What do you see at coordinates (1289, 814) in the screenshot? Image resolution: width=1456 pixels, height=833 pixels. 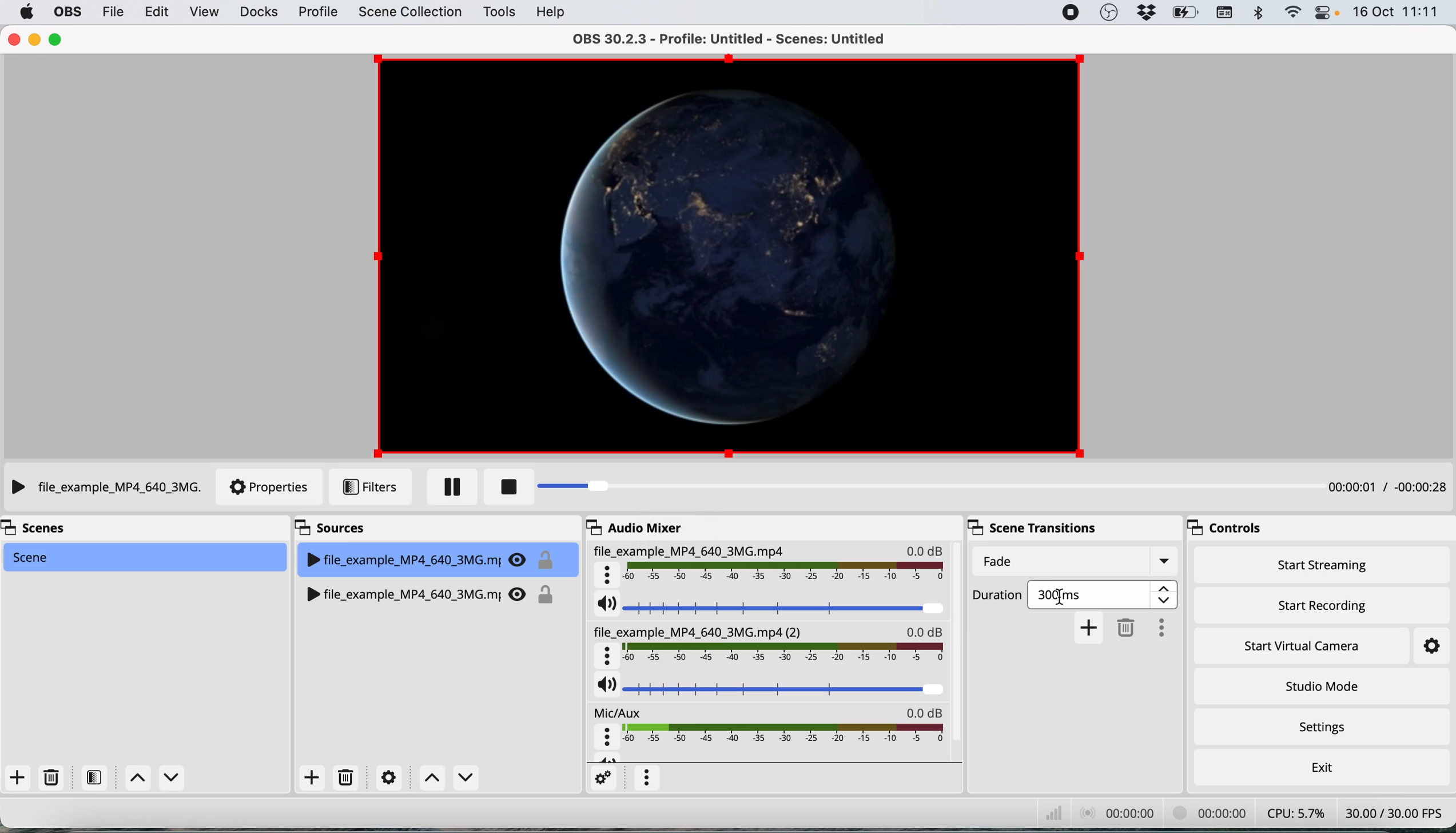 I see `cpu usage` at bounding box center [1289, 814].